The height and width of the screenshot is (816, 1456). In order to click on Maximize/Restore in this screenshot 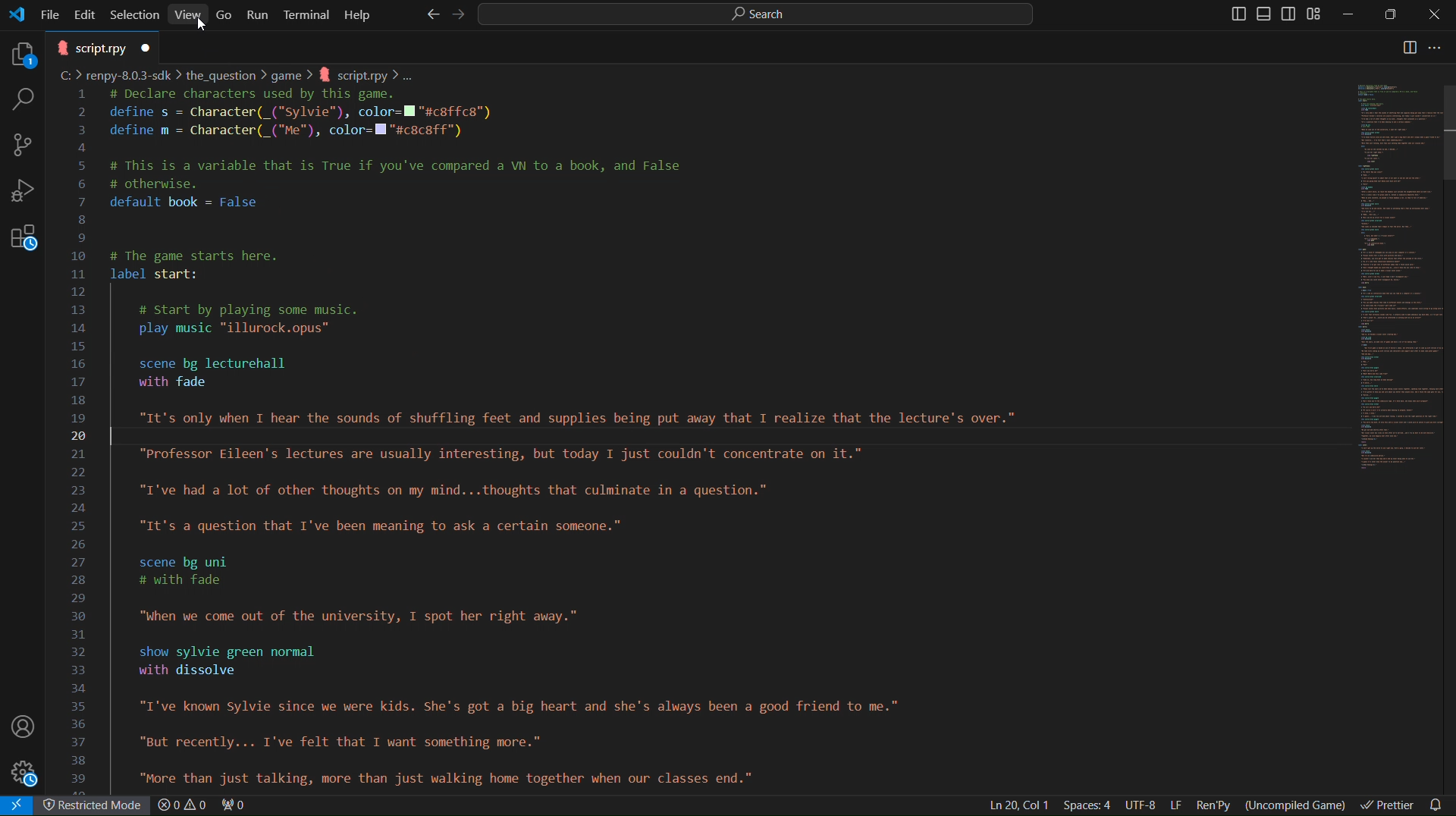, I will do `click(1392, 15)`.